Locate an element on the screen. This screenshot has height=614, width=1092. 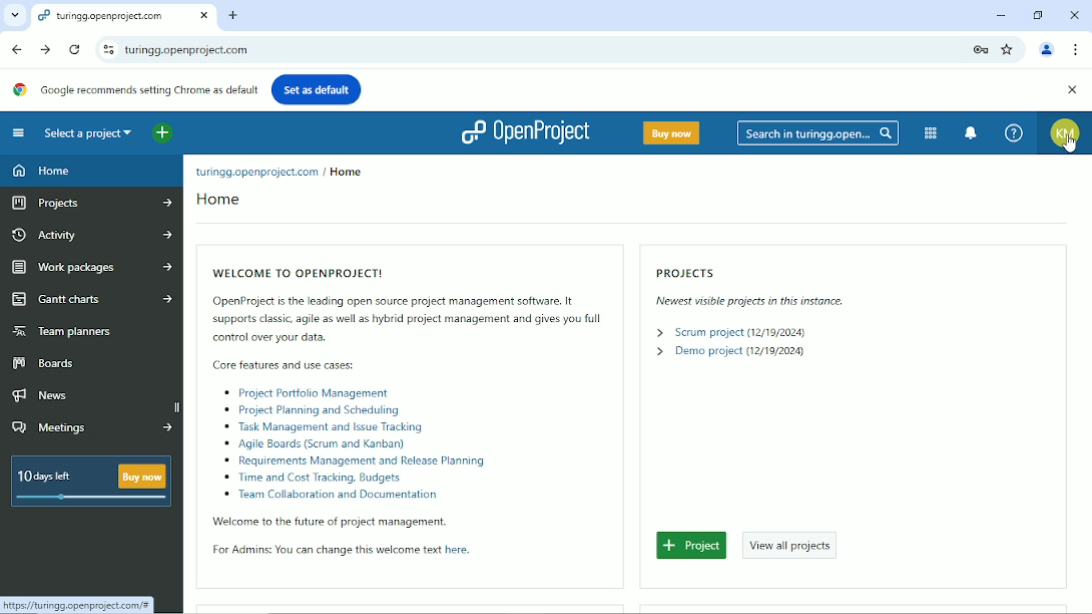
‘& Project Portfolio Management is located at coordinates (310, 393).